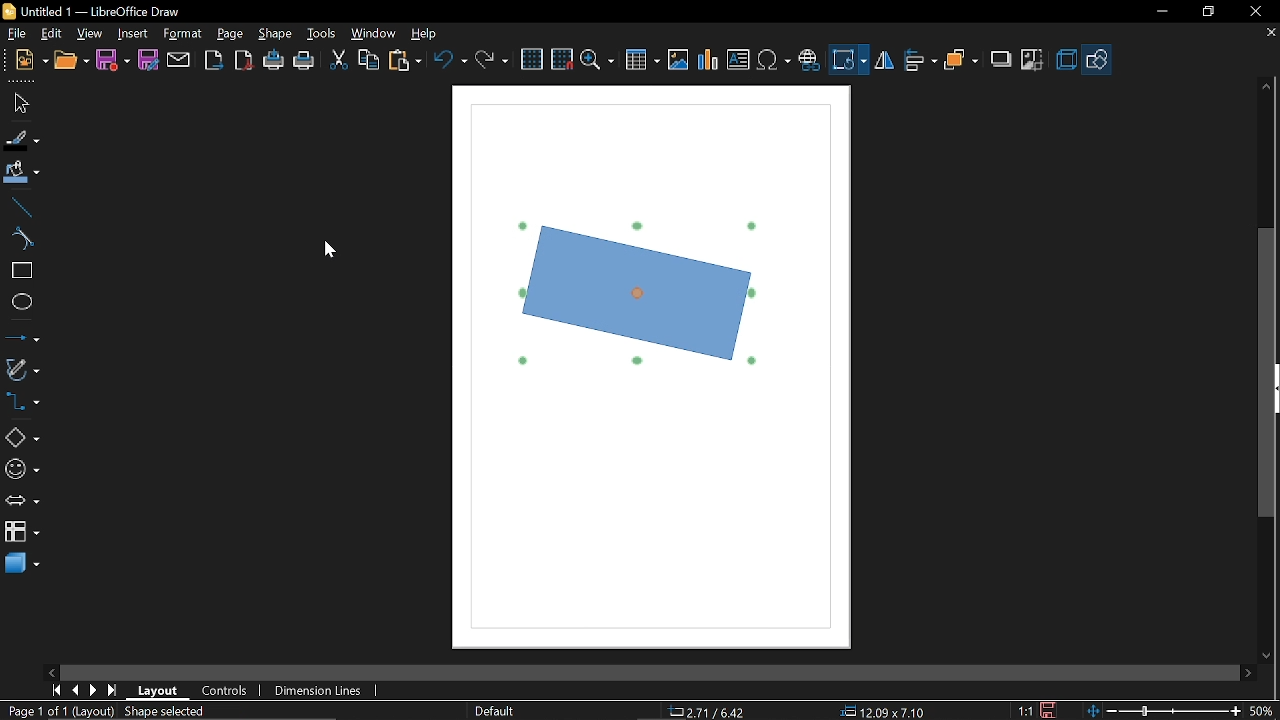 Image resolution: width=1280 pixels, height=720 pixels. Describe the element at coordinates (245, 61) in the screenshot. I see `Export as pdf` at that location.